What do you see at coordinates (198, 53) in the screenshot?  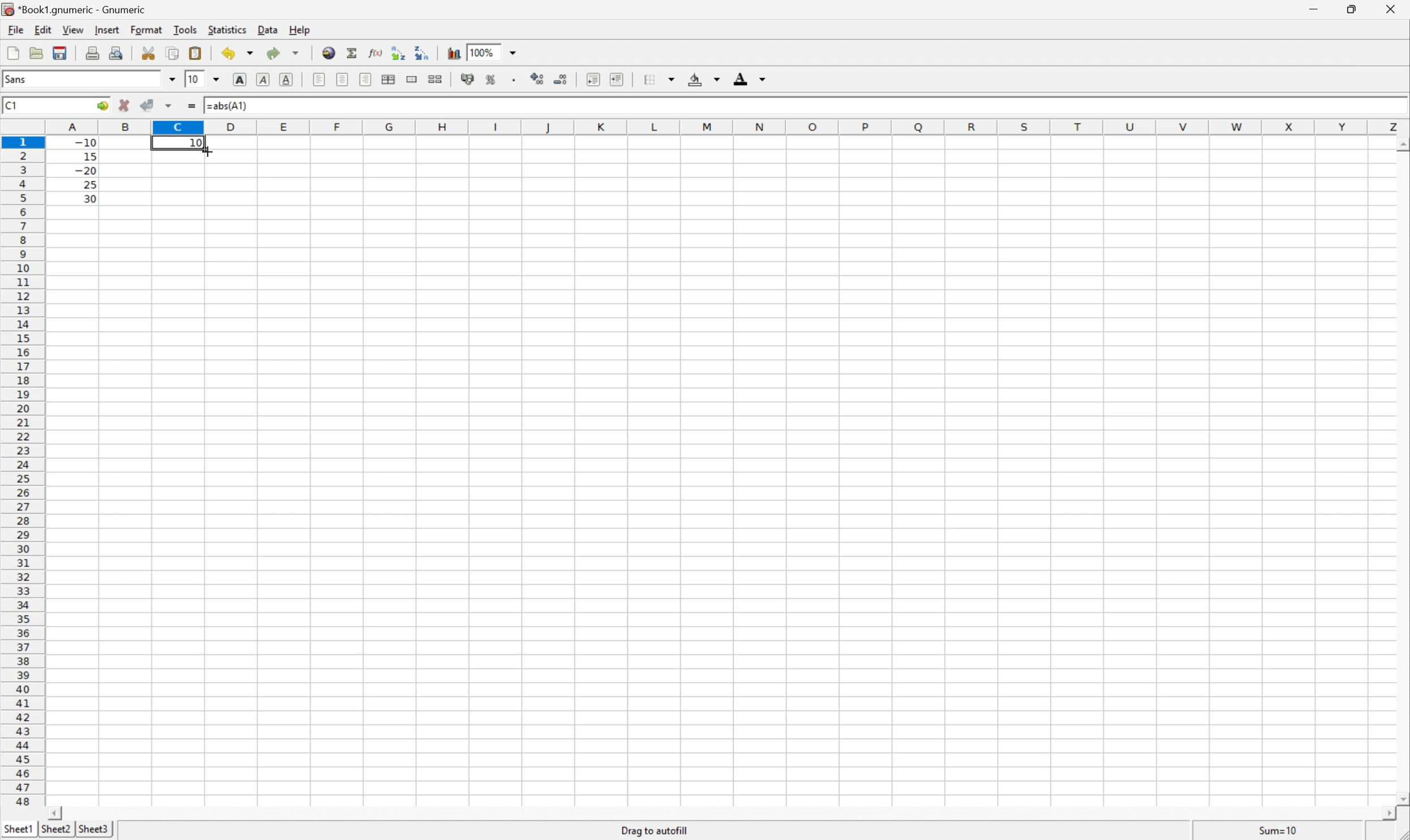 I see `Paste the clipboard` at bounding box center [198, 53].